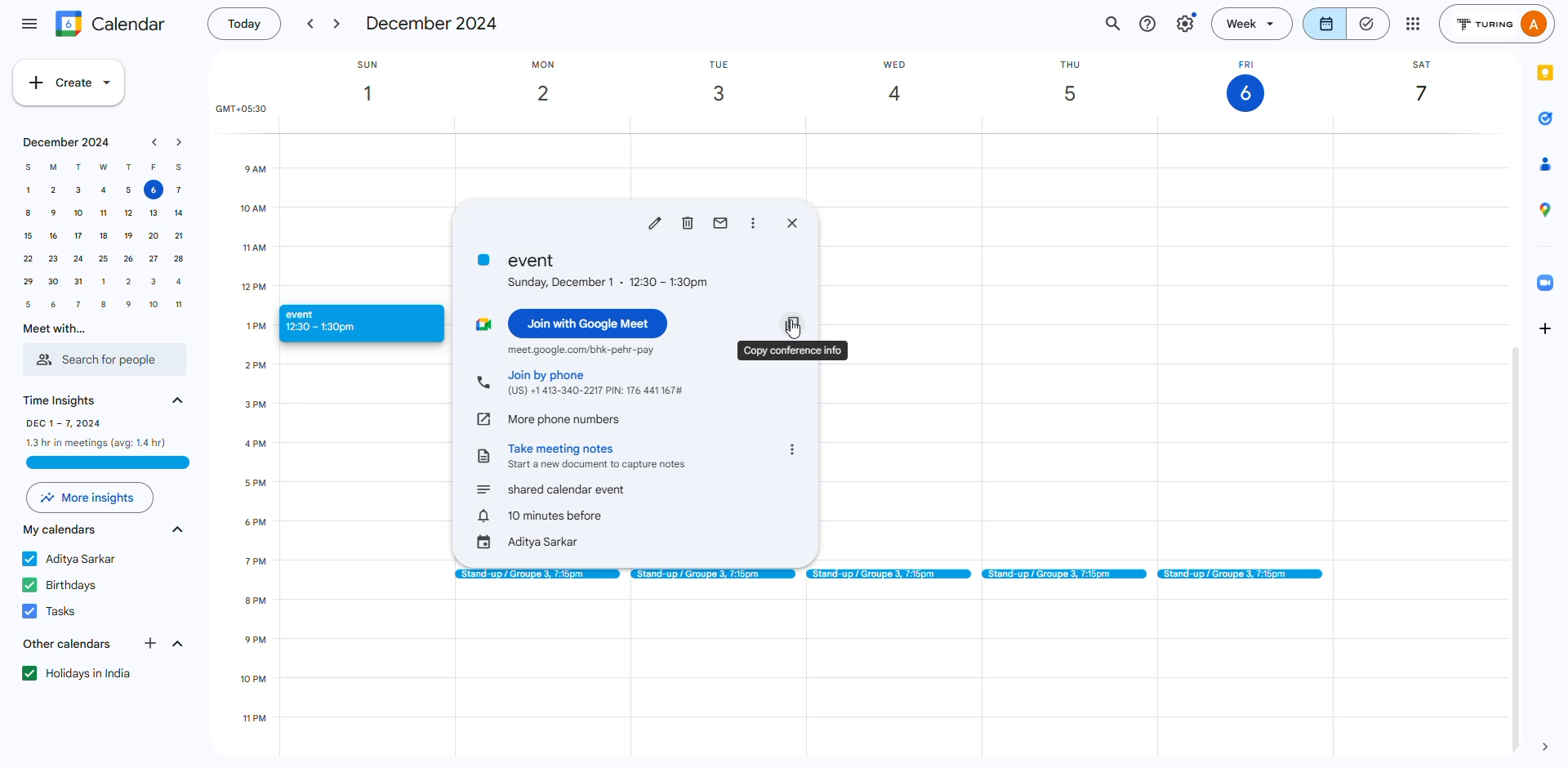 This screenshot has height=768, width=1568. What do you see at coordinates (152, 259) in the screenshot?
I see `27` at bounding box center [152, 259].